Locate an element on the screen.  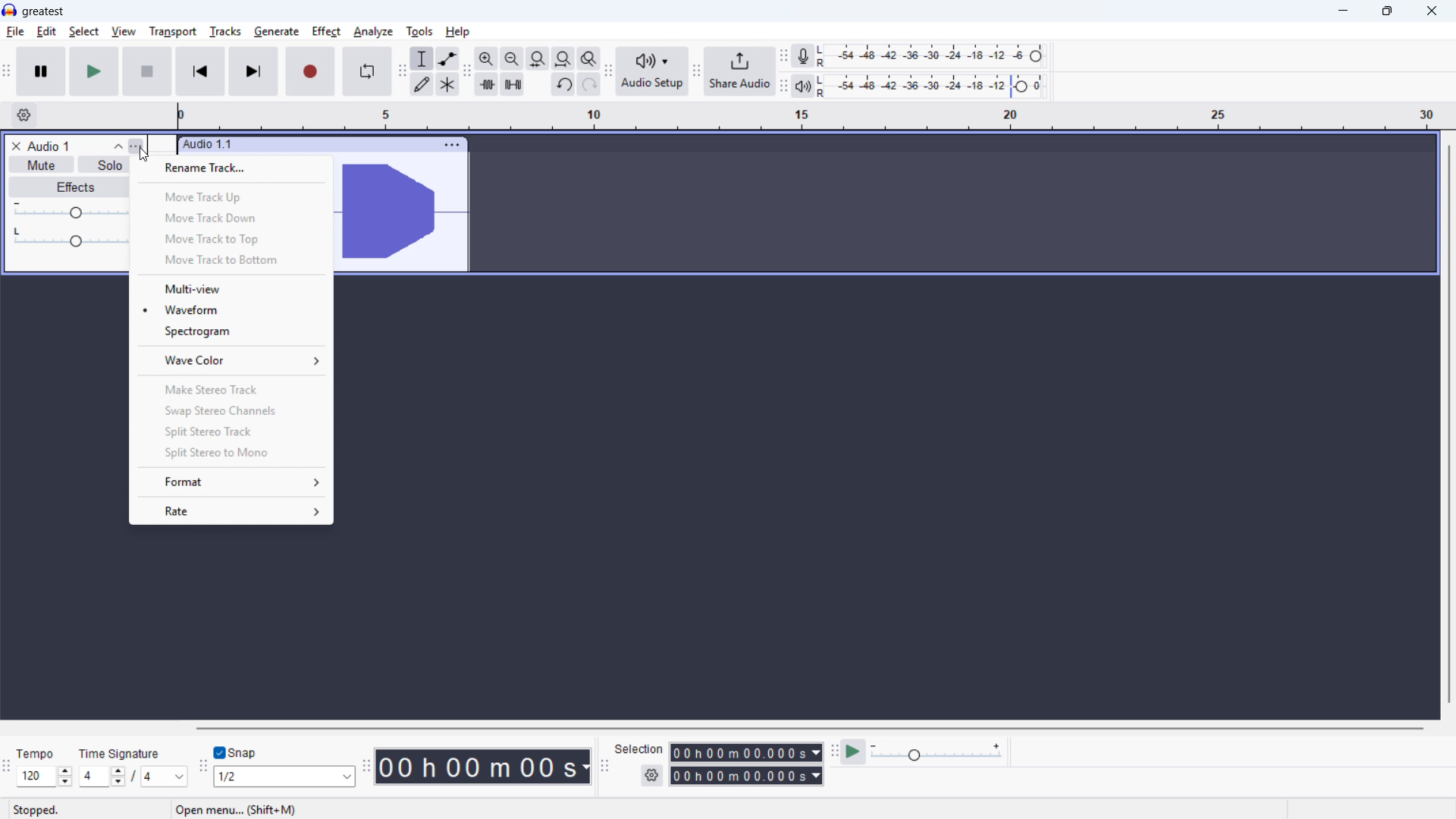
effects is located at coordinates (64, 187).